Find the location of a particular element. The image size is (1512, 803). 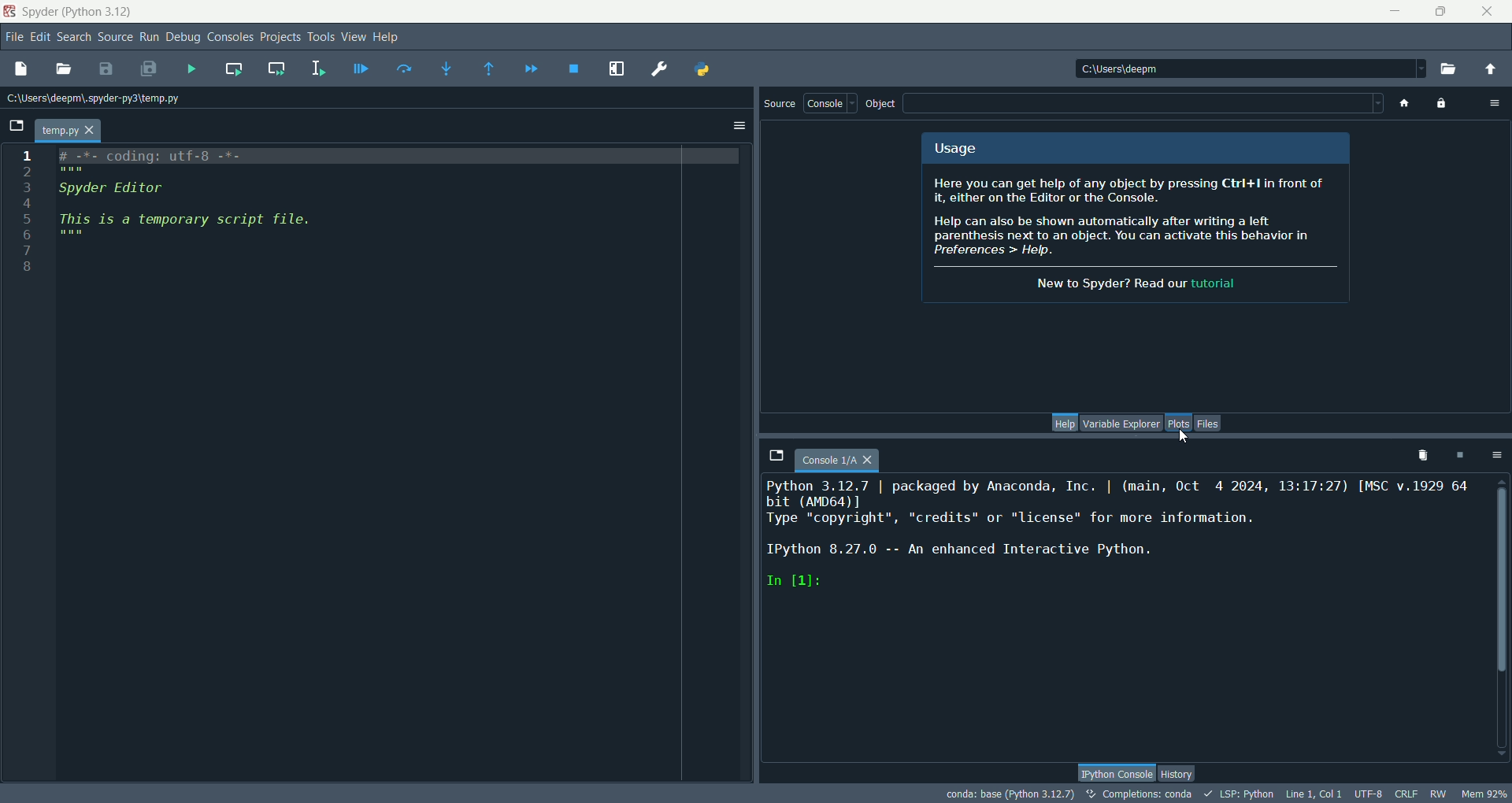

PYTHONPATH manager is located at coordinates (705, 71).